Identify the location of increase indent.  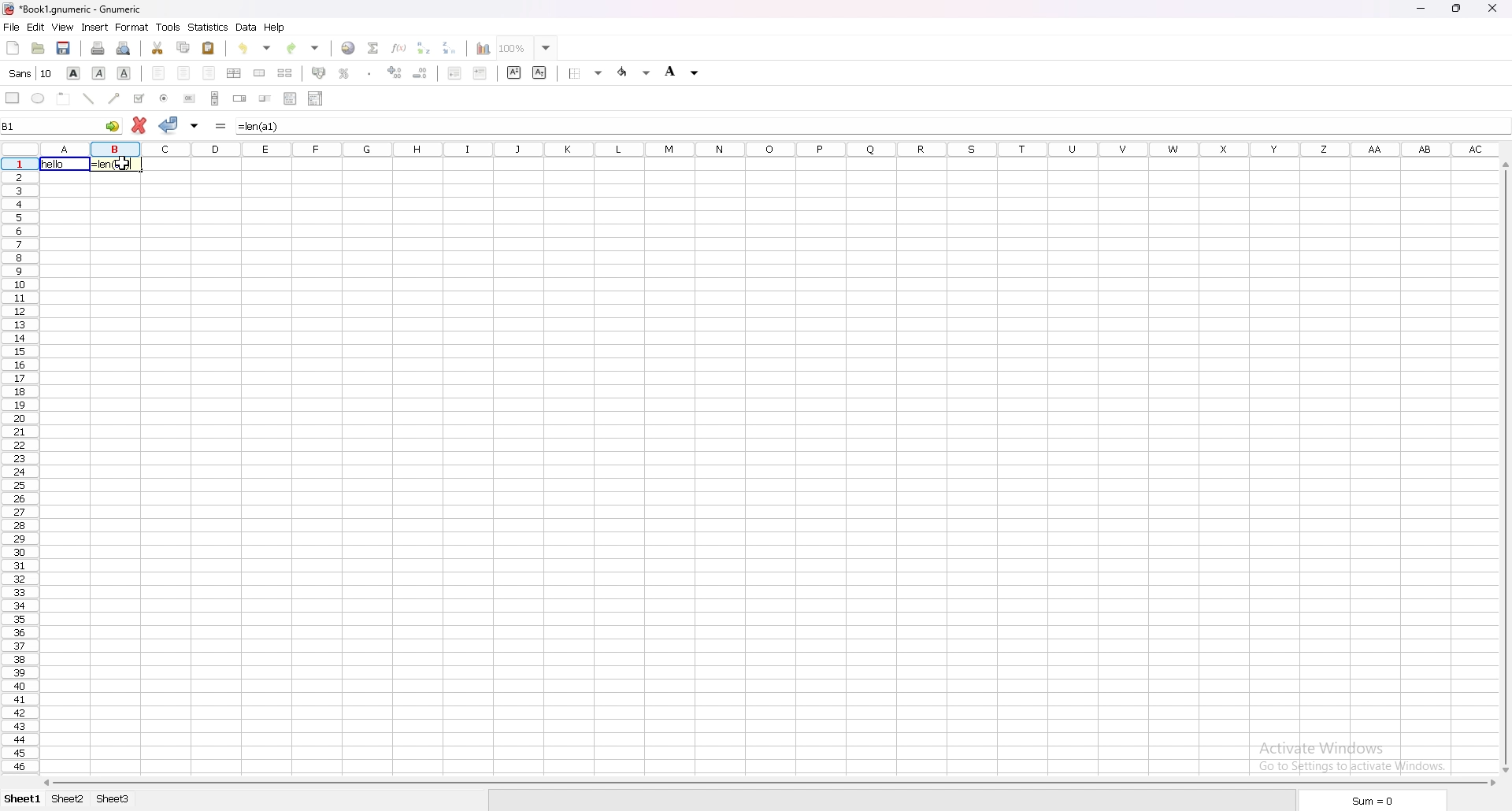
(480, 73).